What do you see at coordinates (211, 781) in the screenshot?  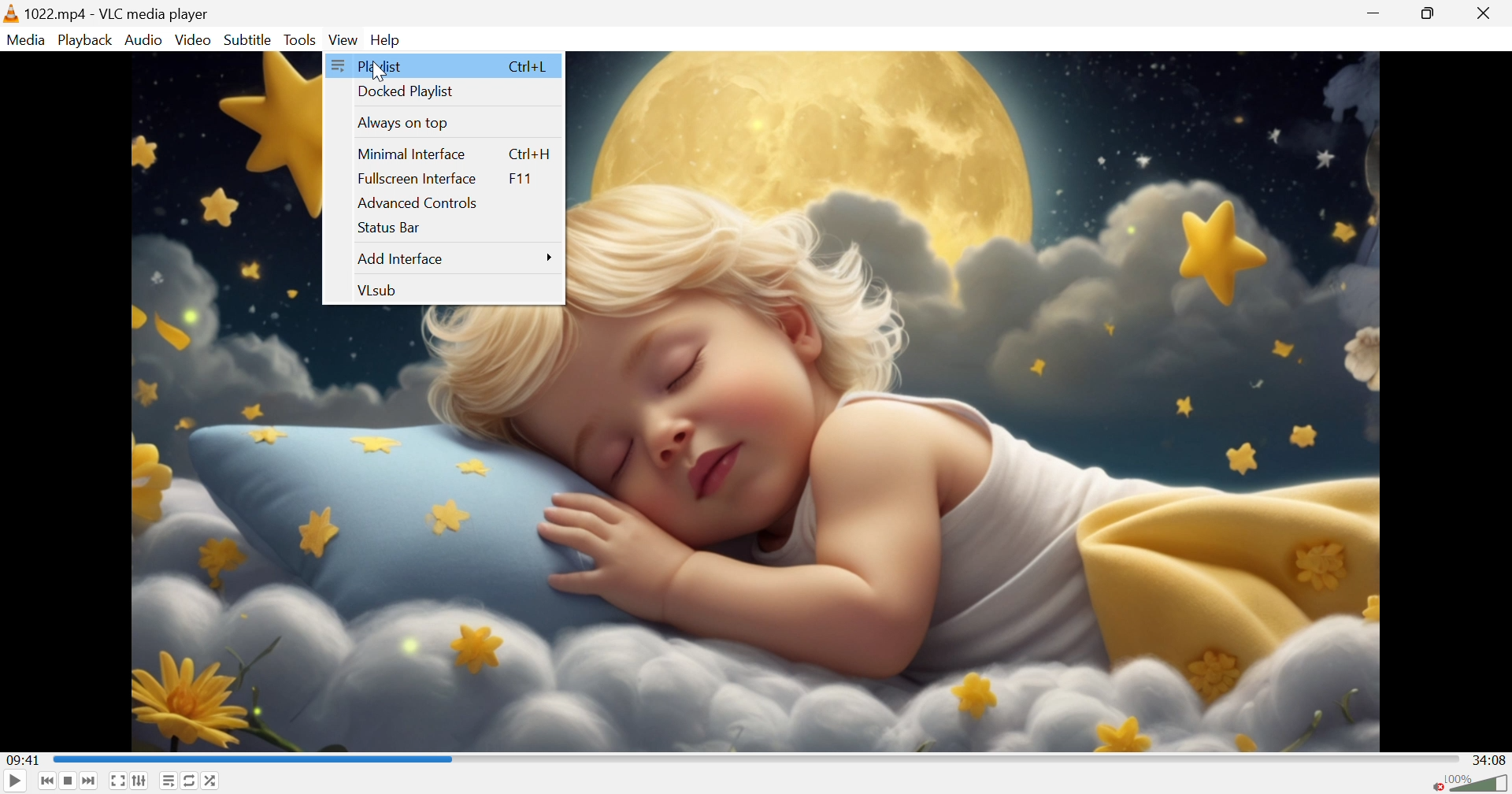 I see `Random` at bounding box center [211, 781].